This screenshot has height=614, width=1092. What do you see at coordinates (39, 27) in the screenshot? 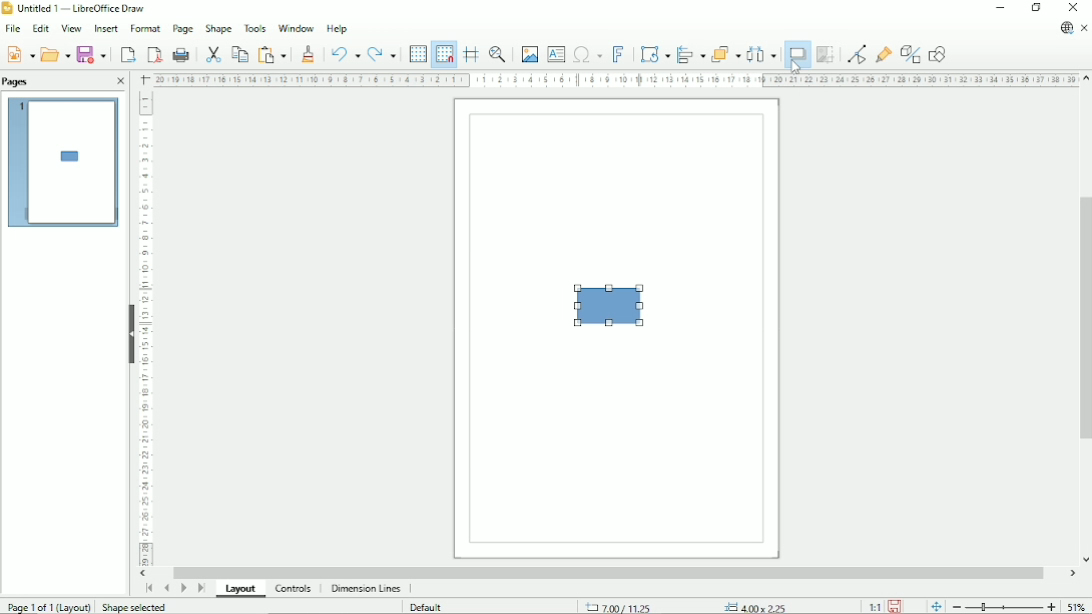
I see `Edit` at bounding box center [39, 27].